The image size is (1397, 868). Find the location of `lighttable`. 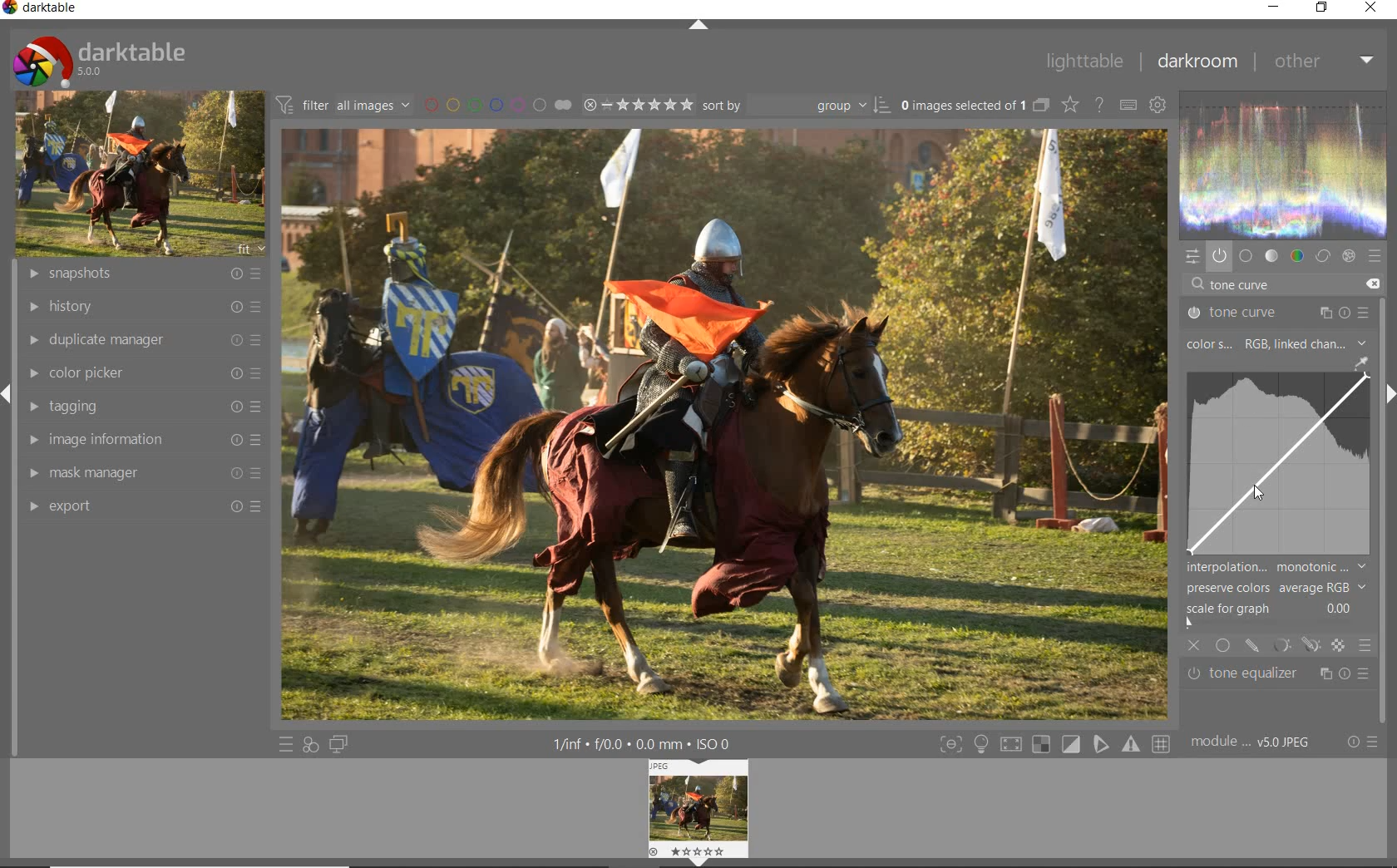

lighttable is located at coordinates (1084, 62).